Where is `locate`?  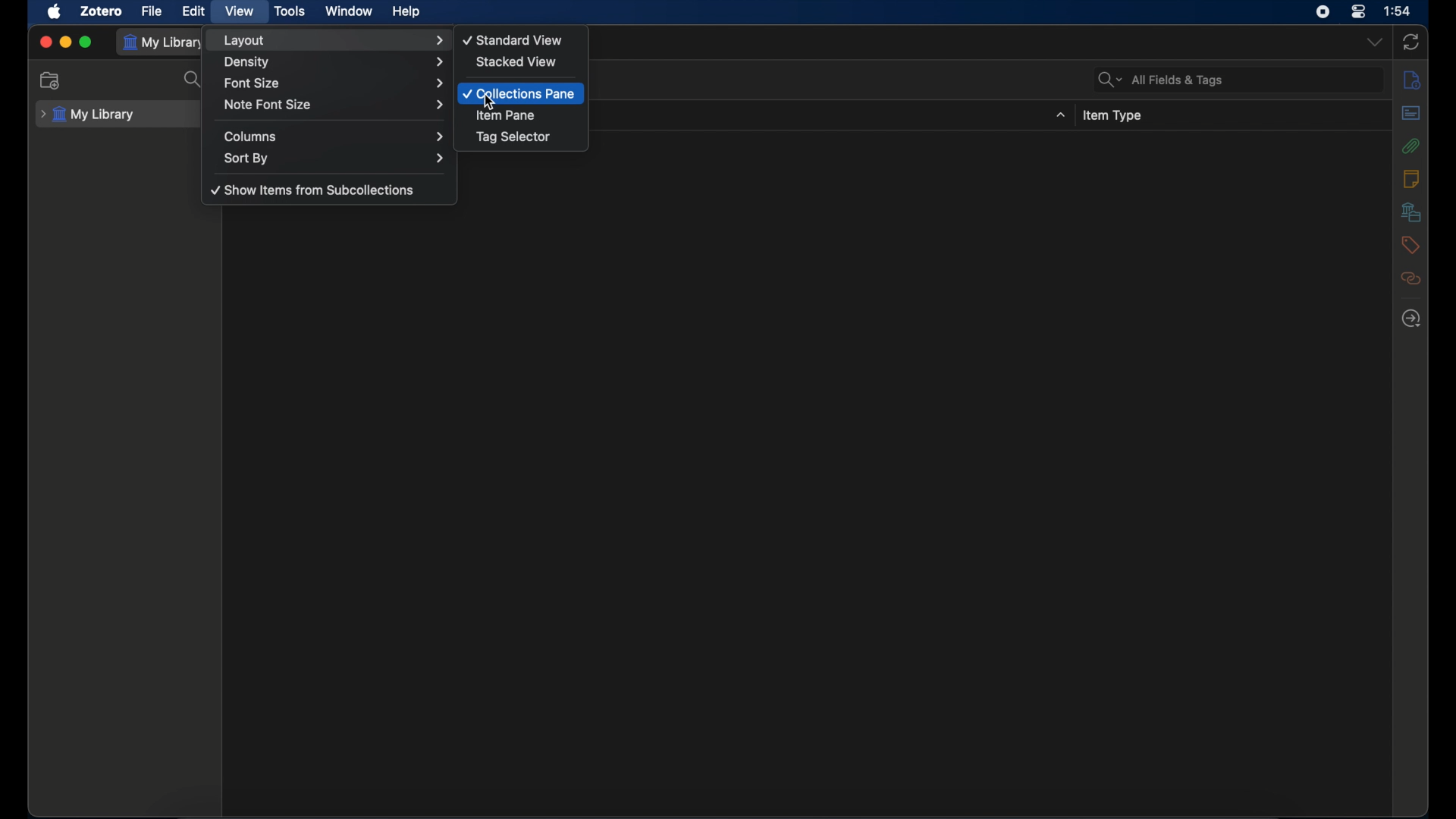
locate is located at coordinates (1412, 318).